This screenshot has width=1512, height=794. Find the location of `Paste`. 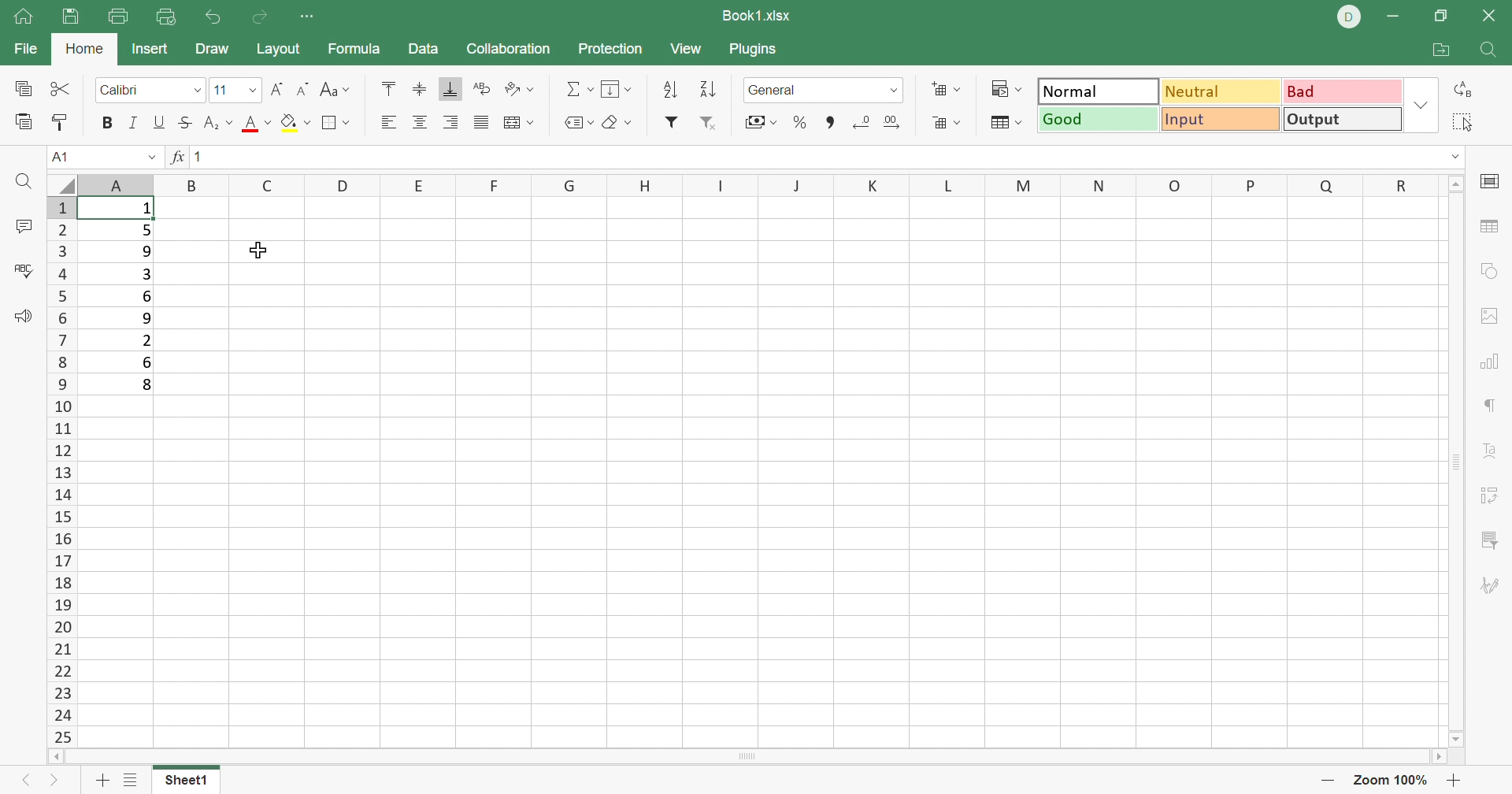

Paste is located at coordinates (23, 121).